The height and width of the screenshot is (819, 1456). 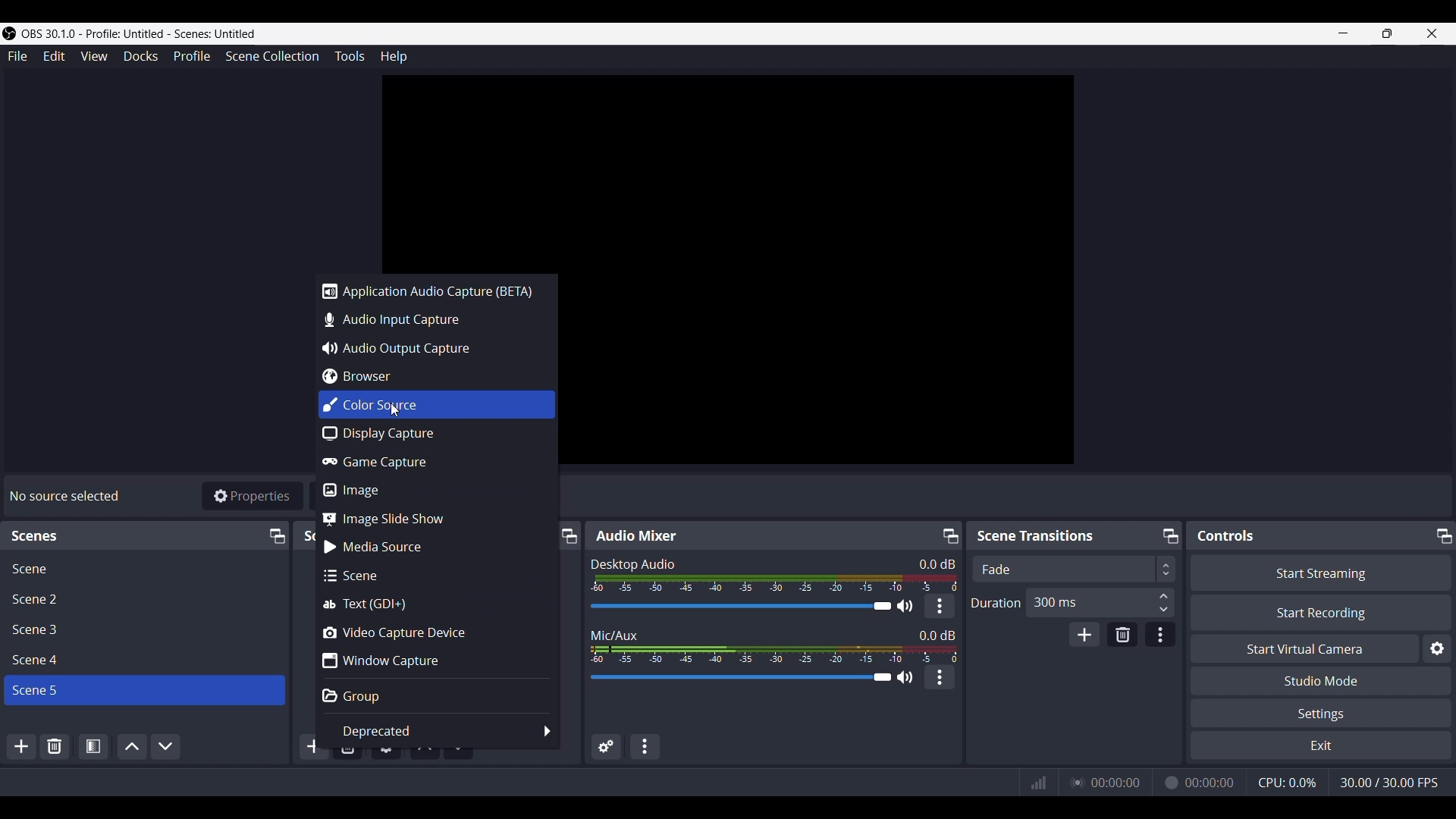 I want to click on Text (GDI+), so click(x=434, y=604).